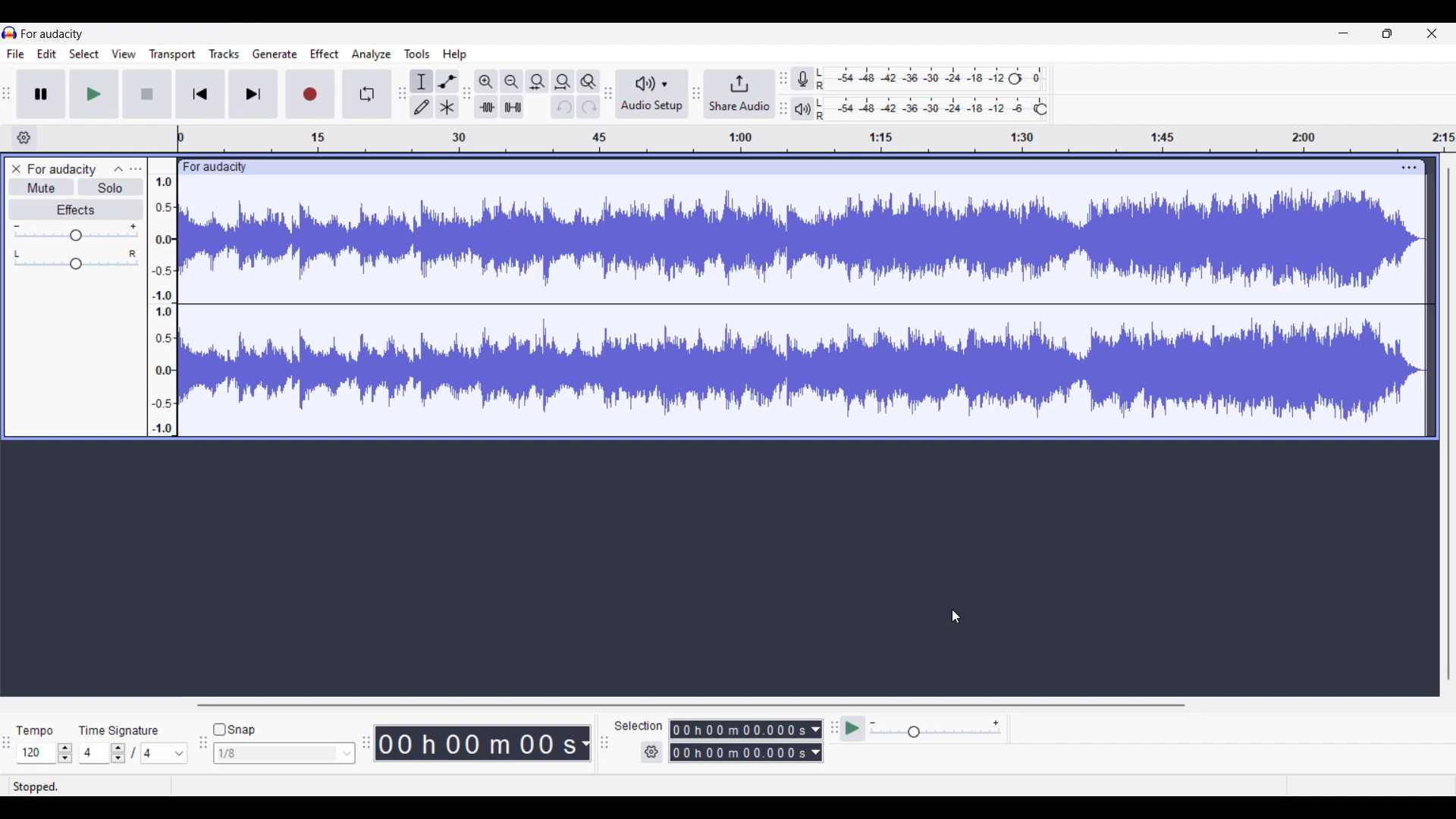 The width and height of the screenshot is (1456, 819). What do you see at coordinates (224, 54) in the screenshot?
I see `Track menu ` at bounding box center [224, 54].